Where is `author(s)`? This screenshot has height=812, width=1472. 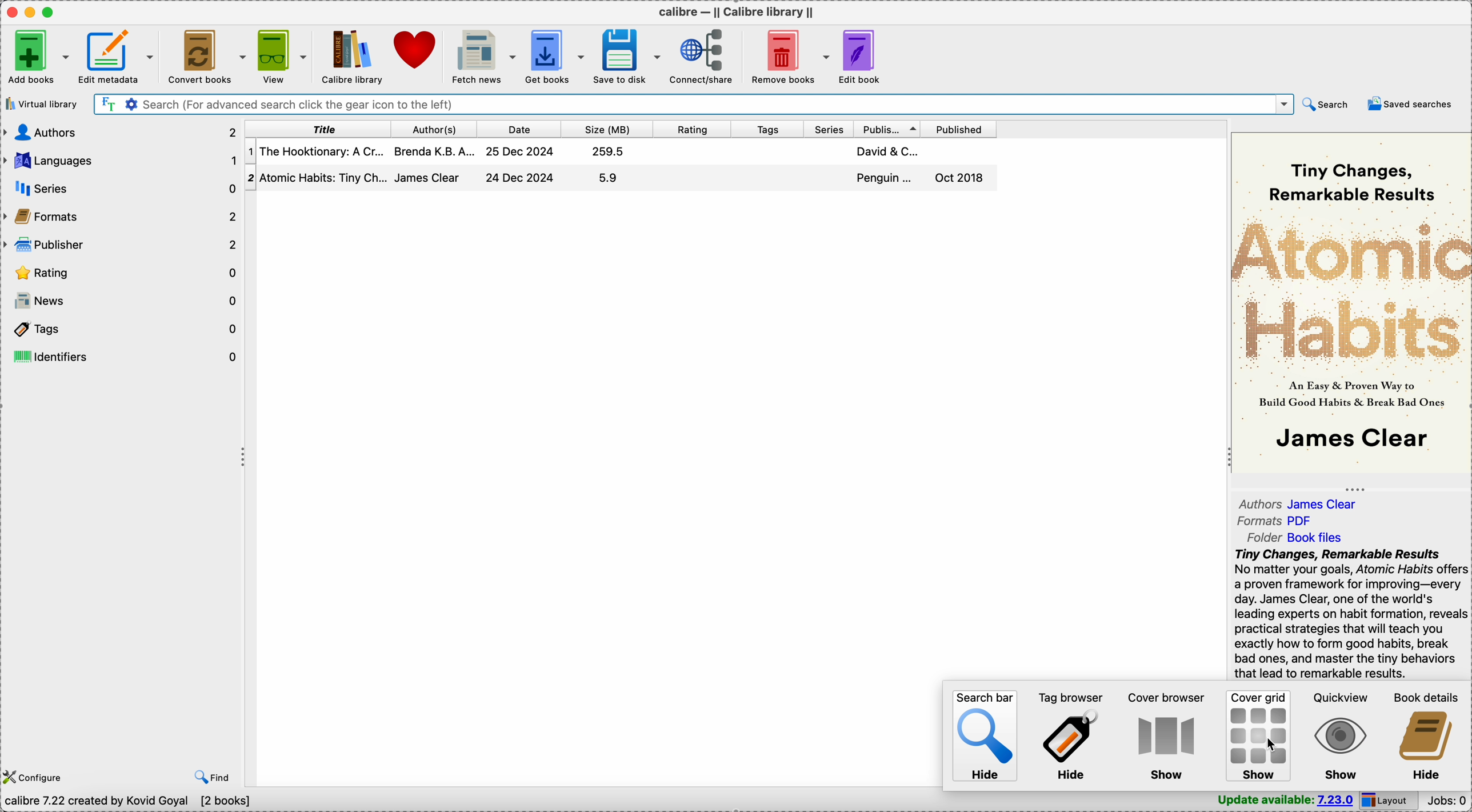
author(s) is located at coordinates (434, 130).